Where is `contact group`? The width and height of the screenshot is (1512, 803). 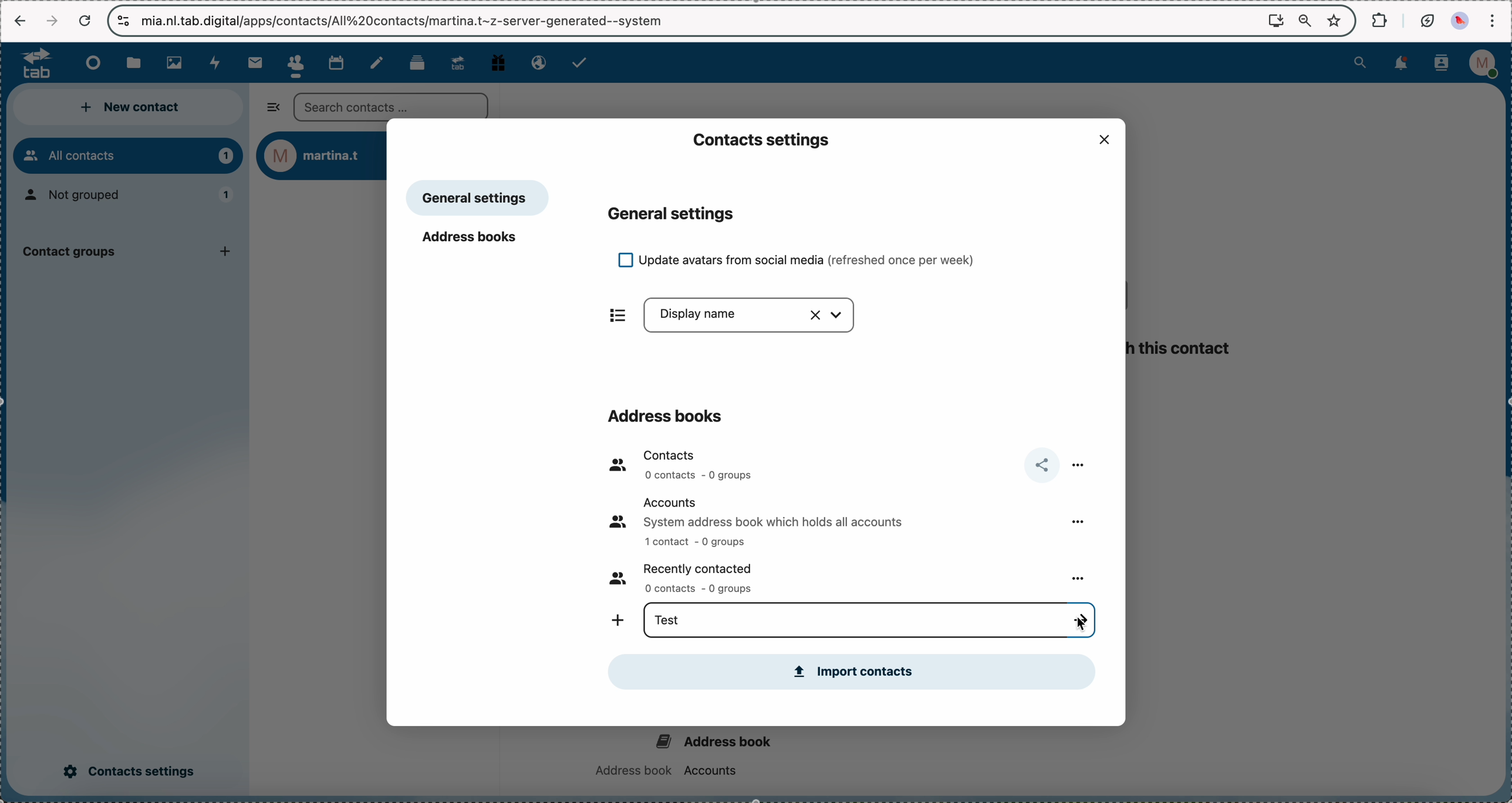
contact group is located at coordinates (127, 255).